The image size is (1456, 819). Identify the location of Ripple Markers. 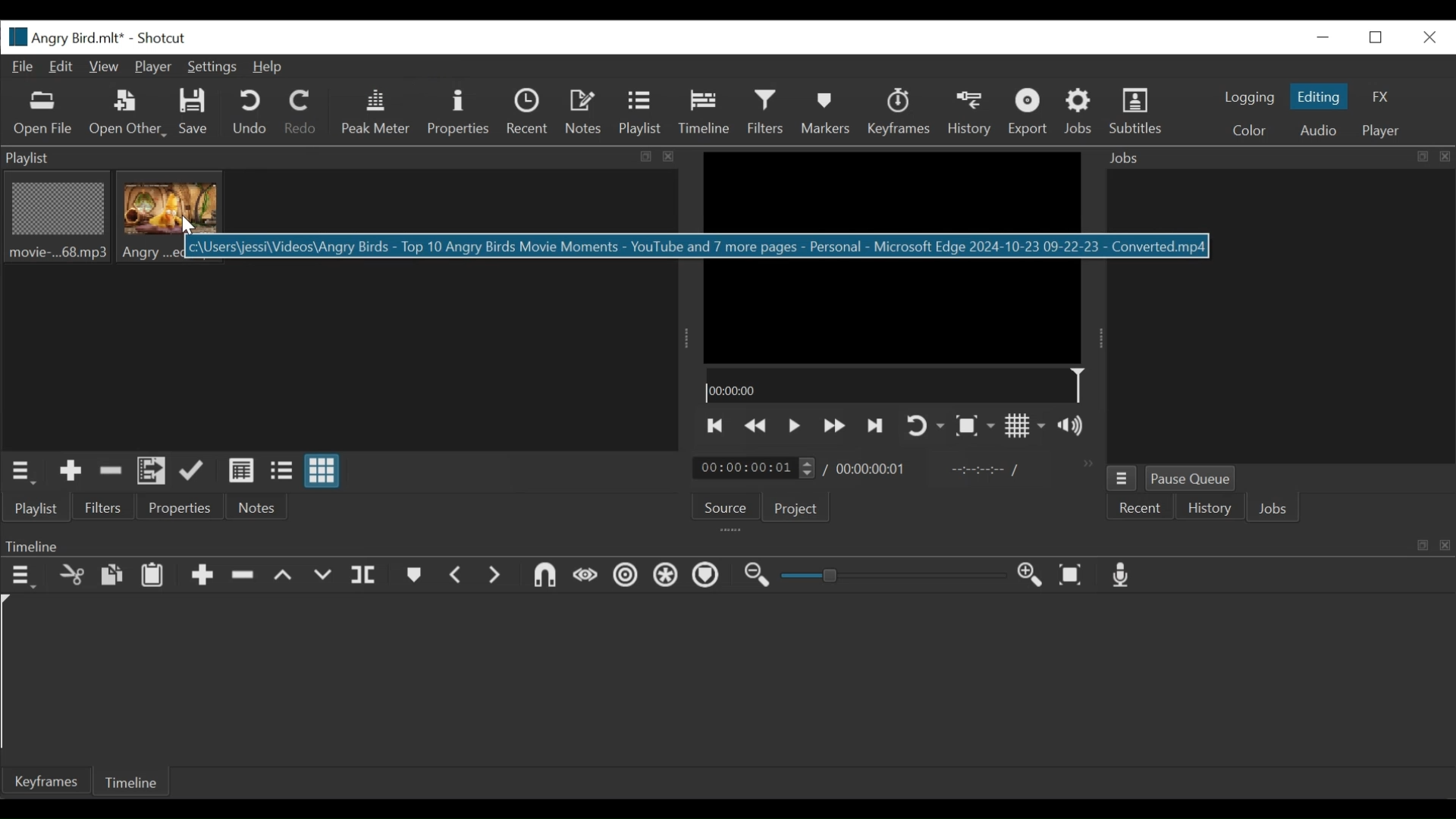
(708, 576).